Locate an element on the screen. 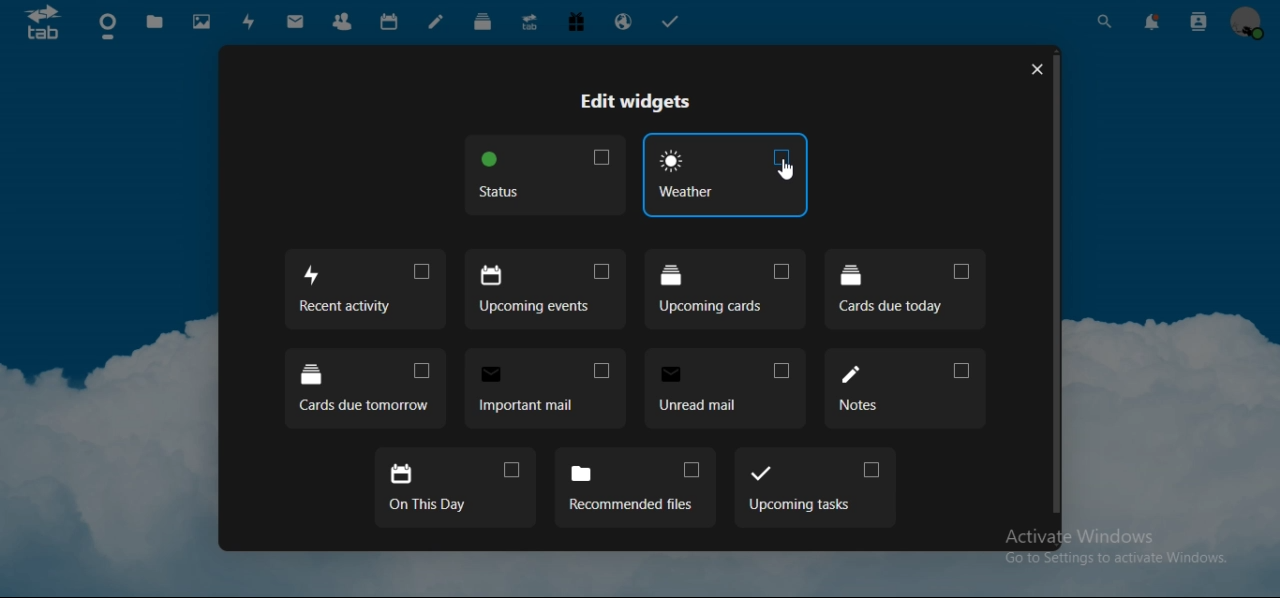 This screenshot has width=1280, height=598. search contacts is located at coordinates (1198, 21).